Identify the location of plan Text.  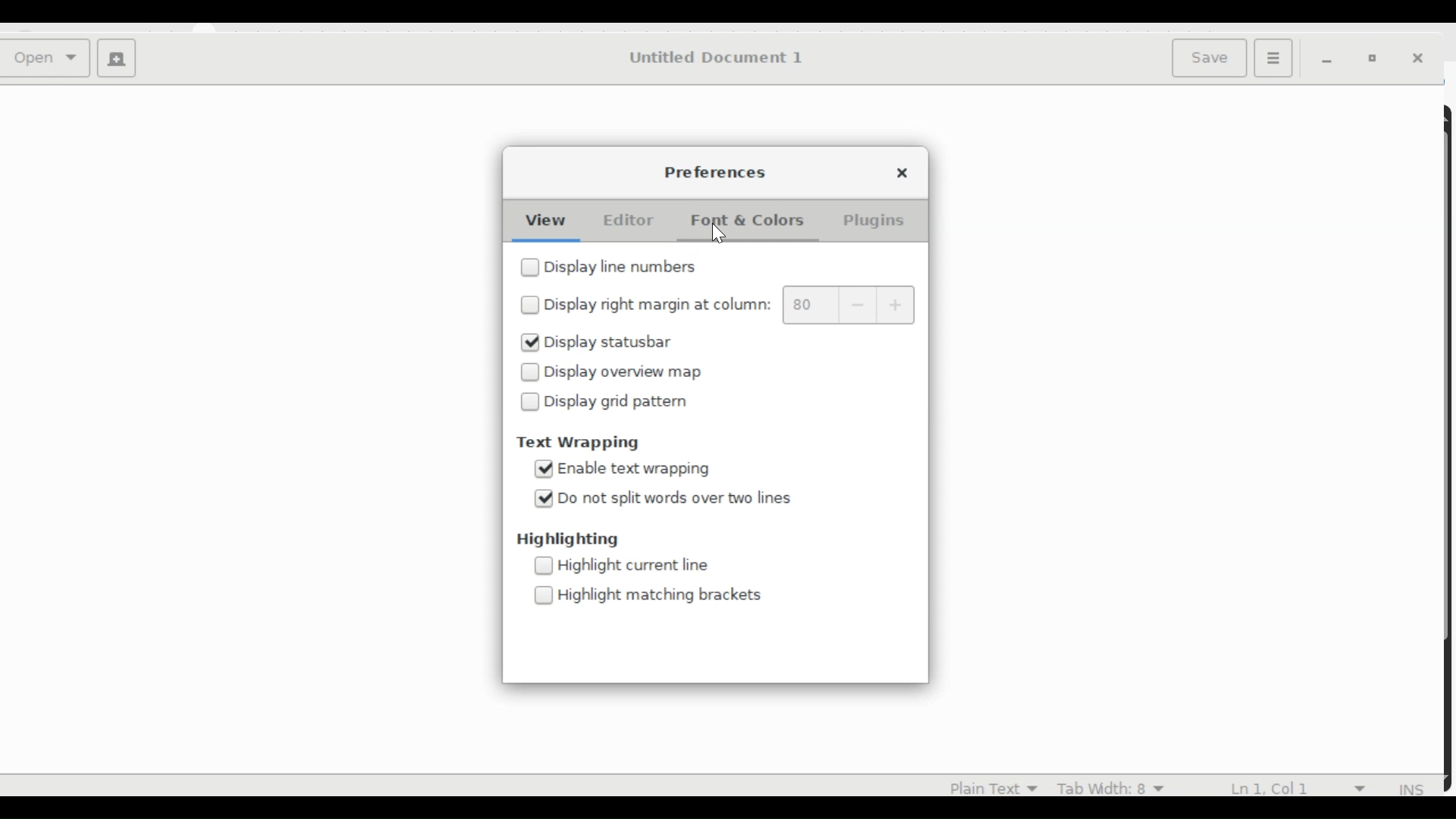
(984, 786).